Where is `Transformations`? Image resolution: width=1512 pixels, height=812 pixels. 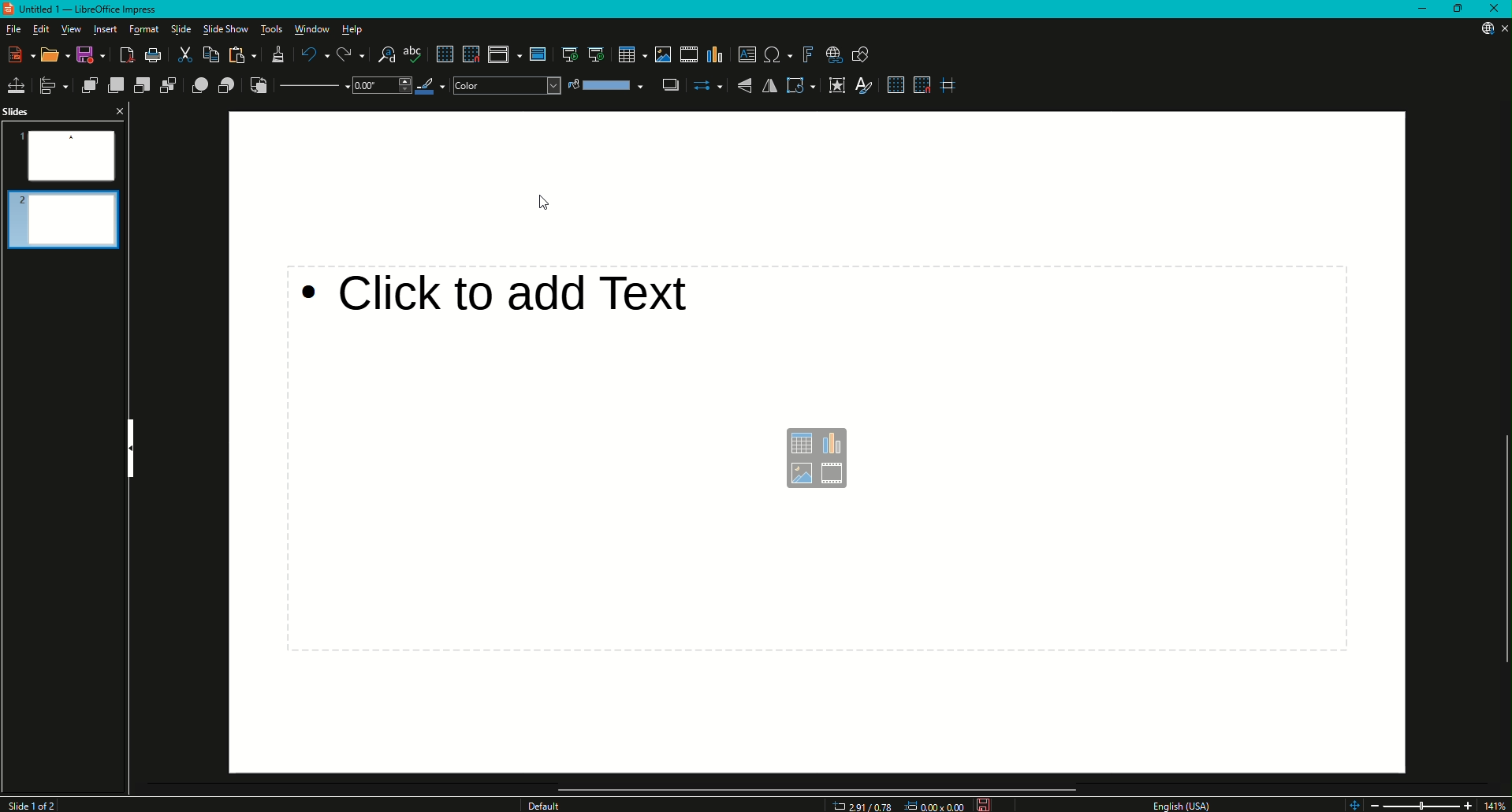
Transformations is located at coordinates (803, 87).